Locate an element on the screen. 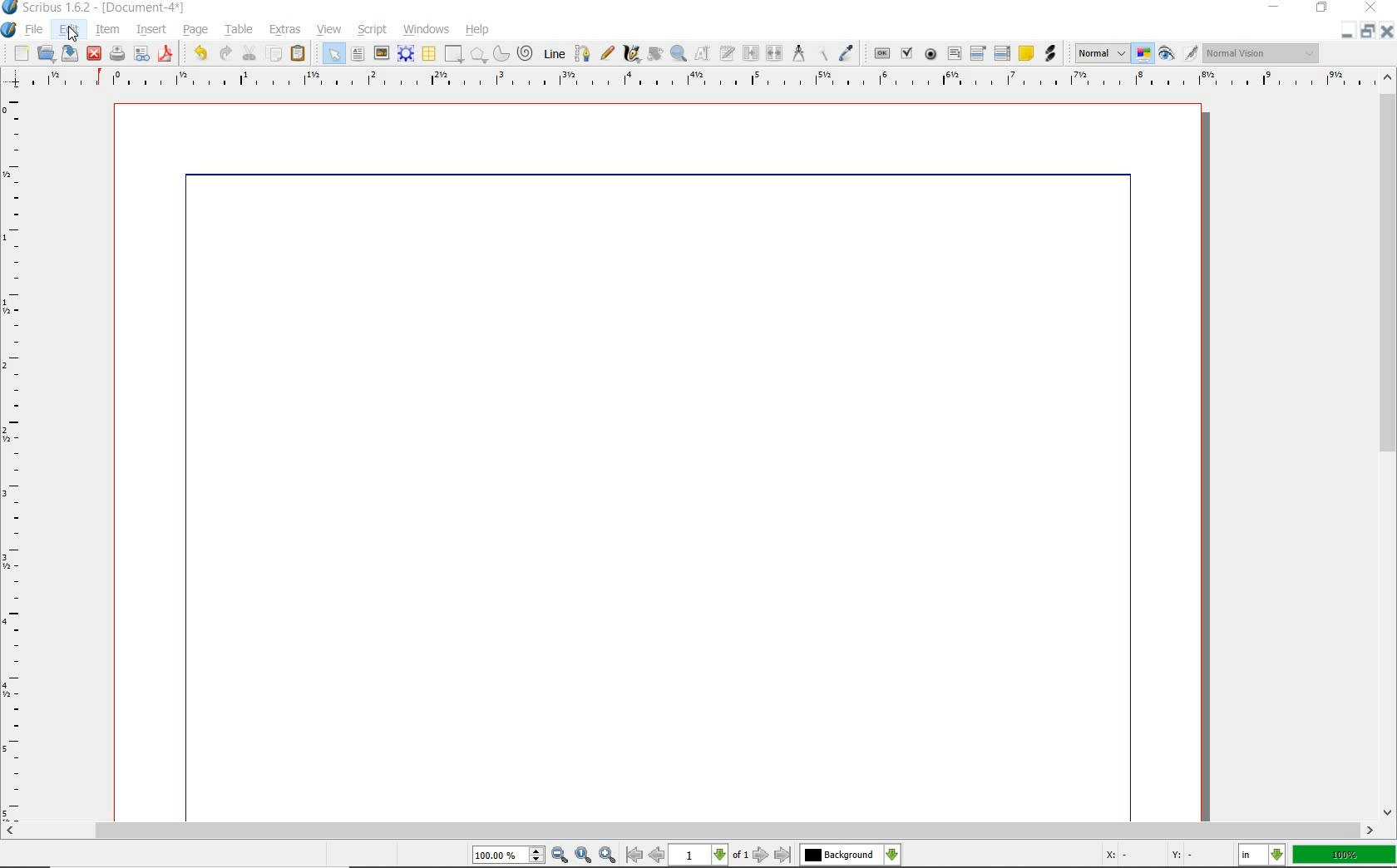  render frame is located at coordinates (406, 53).